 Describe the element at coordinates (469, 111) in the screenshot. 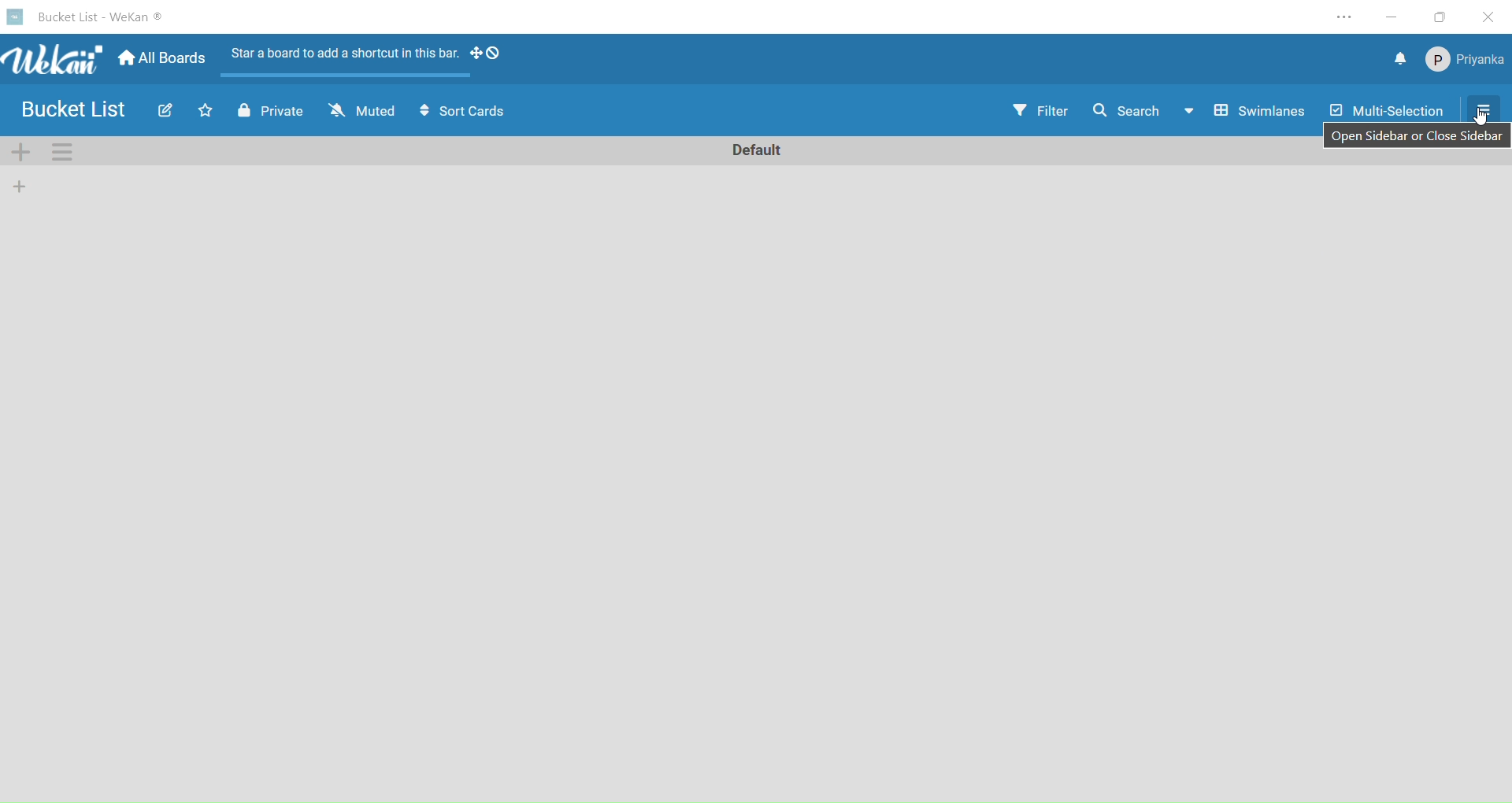

I see `sort cards` at that location.